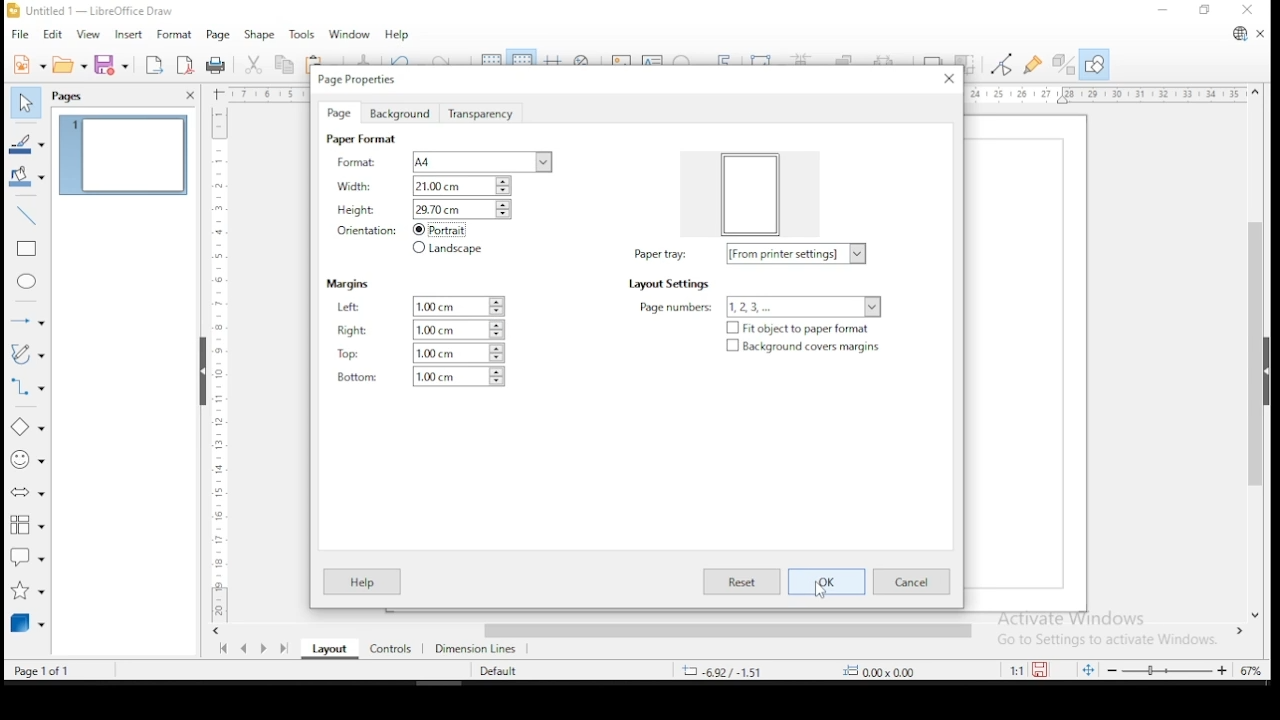  I want to click on file, so click(19, 35).